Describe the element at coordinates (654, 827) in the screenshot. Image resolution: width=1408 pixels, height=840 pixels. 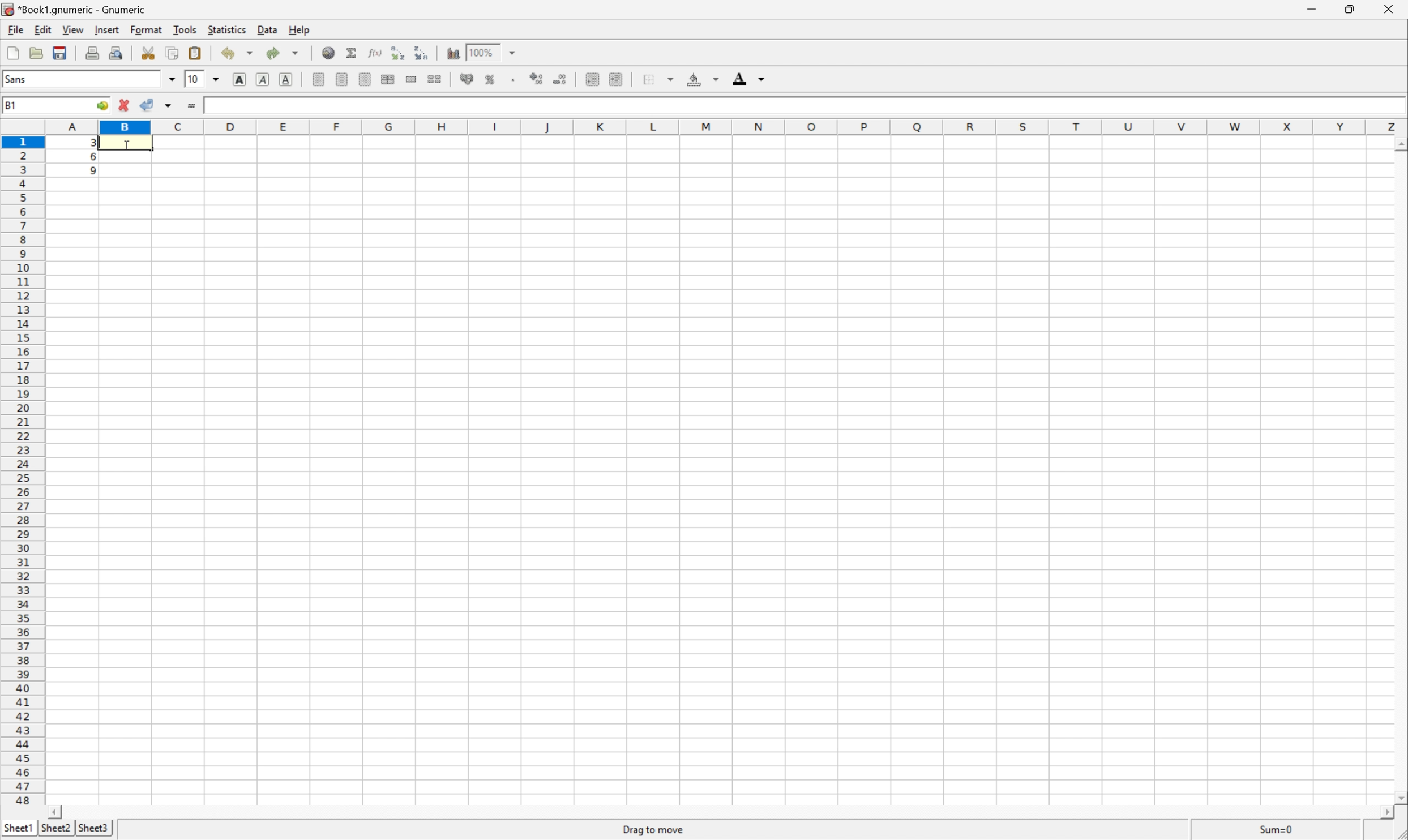
I see `Drag to move` at that location.